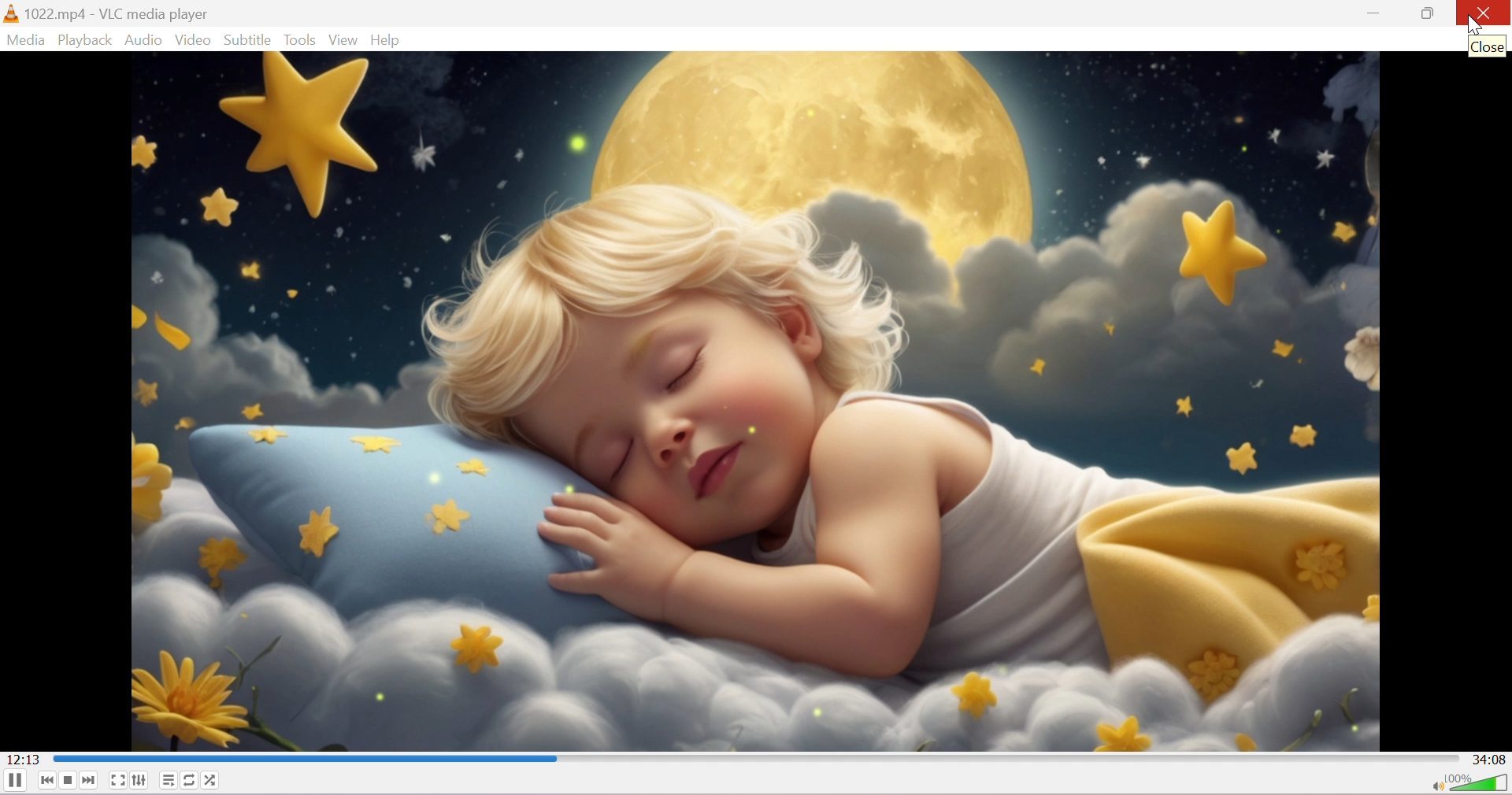 The width and height of the screenshot is (1512, 795). Describe the element at coordinates (117, 780) in the screenshot. I see `Toggle the video in fullscreen` at that location.